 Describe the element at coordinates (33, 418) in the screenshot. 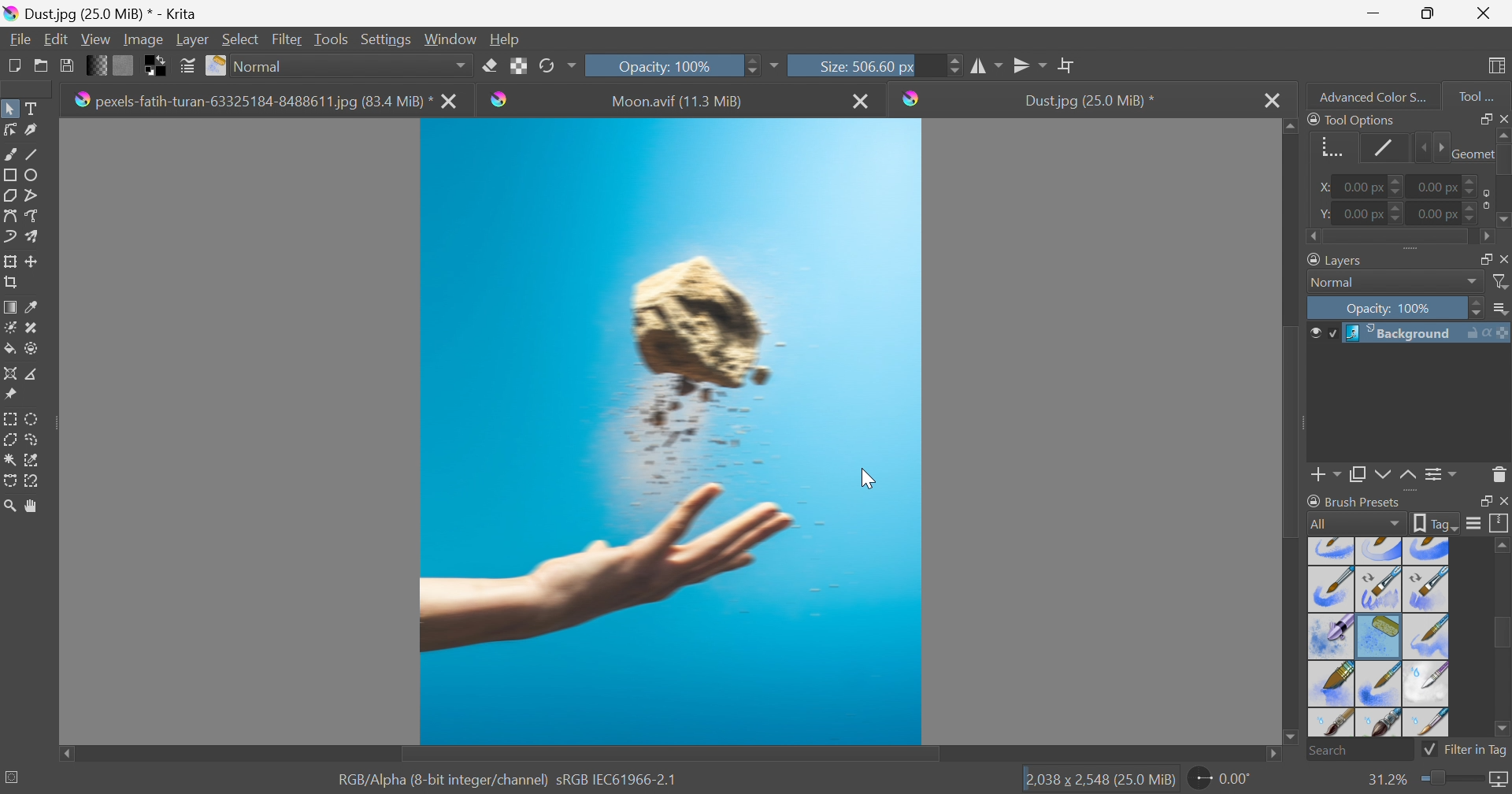

I see `Elliptical selection tool` at that location.